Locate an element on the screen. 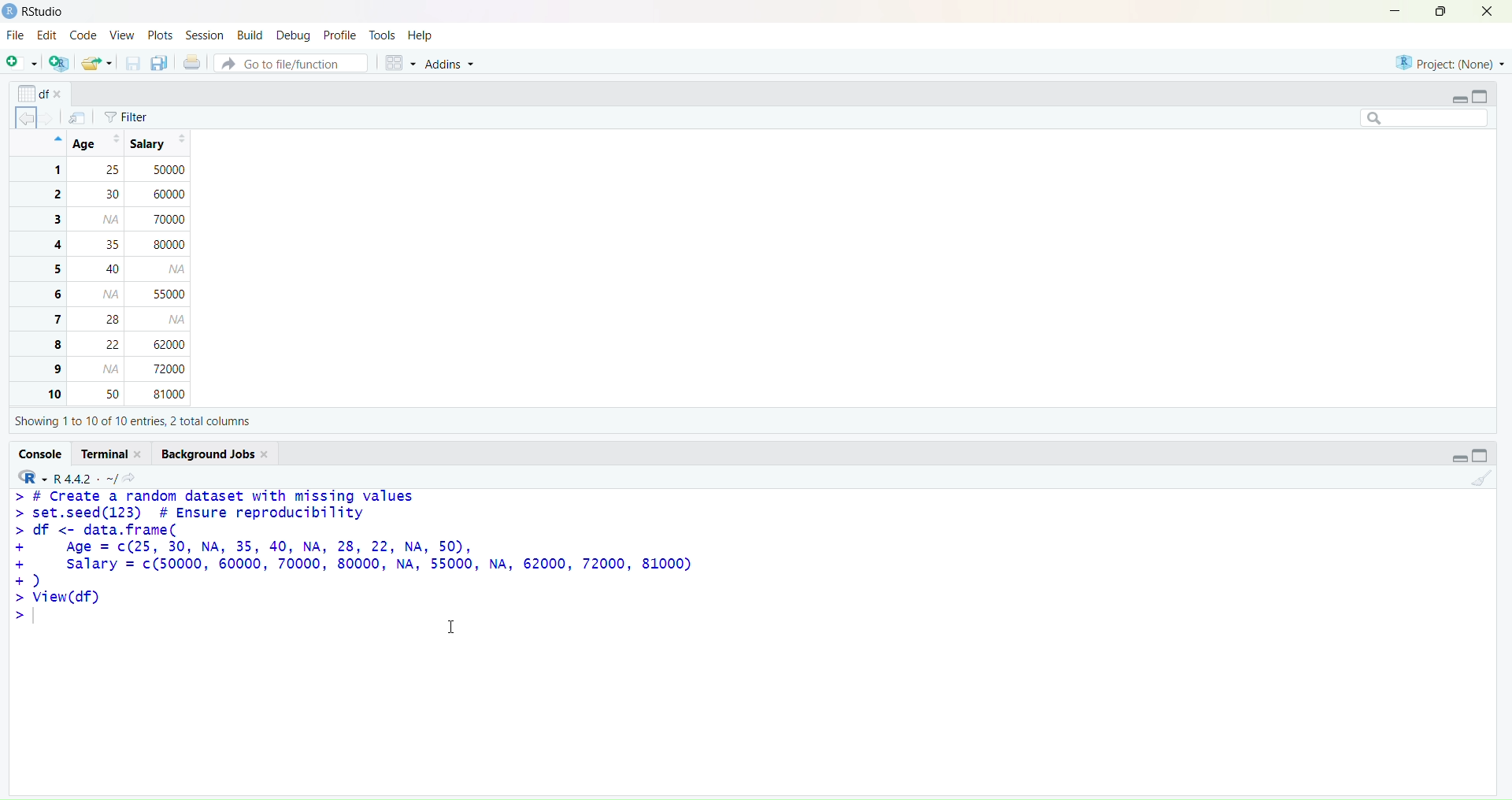 The image size is (1512, 800). collapse is located at coordinates (1482, 94).